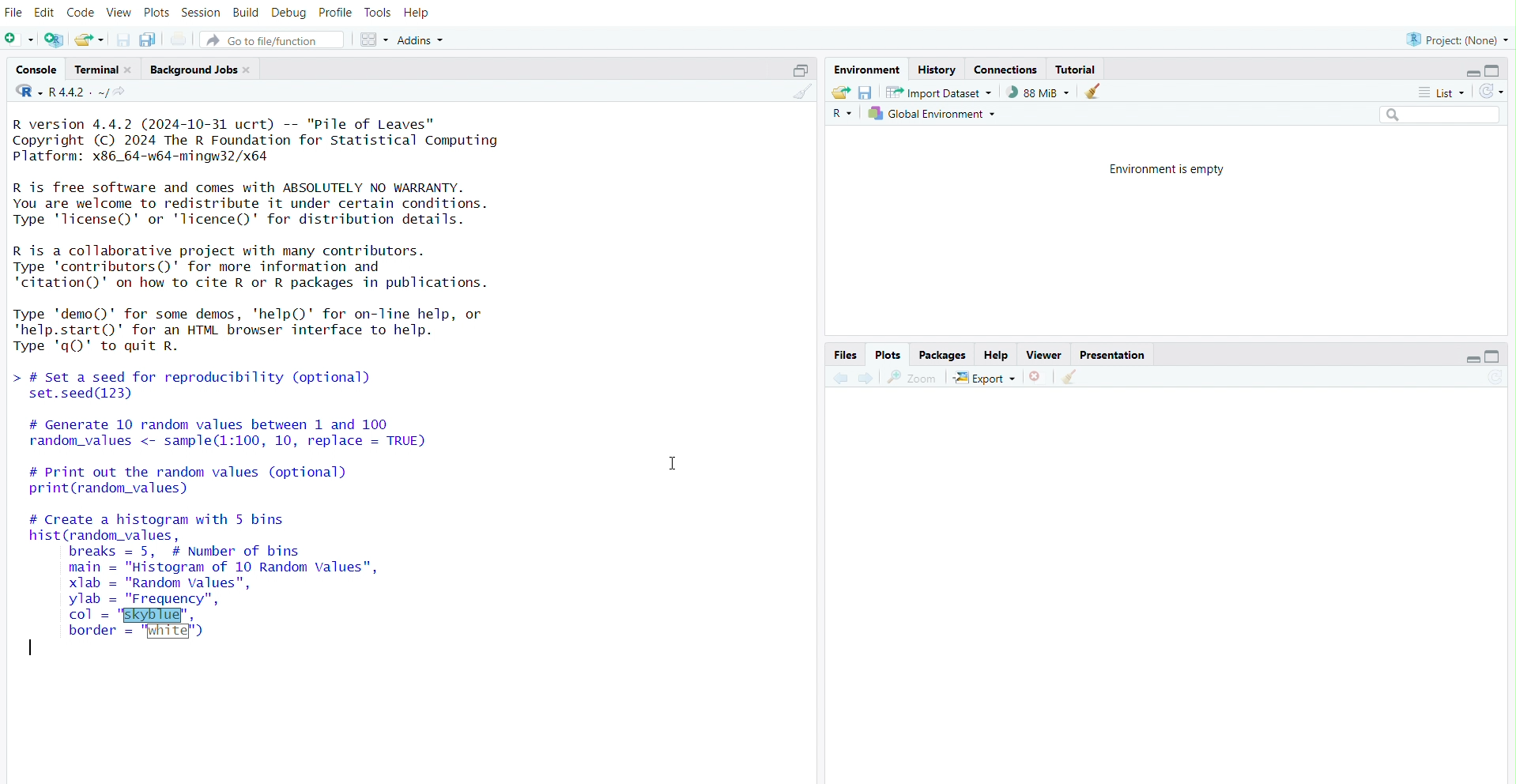 This screenshot has height=784, width=1516. What do you see at coordinates (1075, 68) in the screenshot?
I see `tutorial` at bounding box center [1075, 68].